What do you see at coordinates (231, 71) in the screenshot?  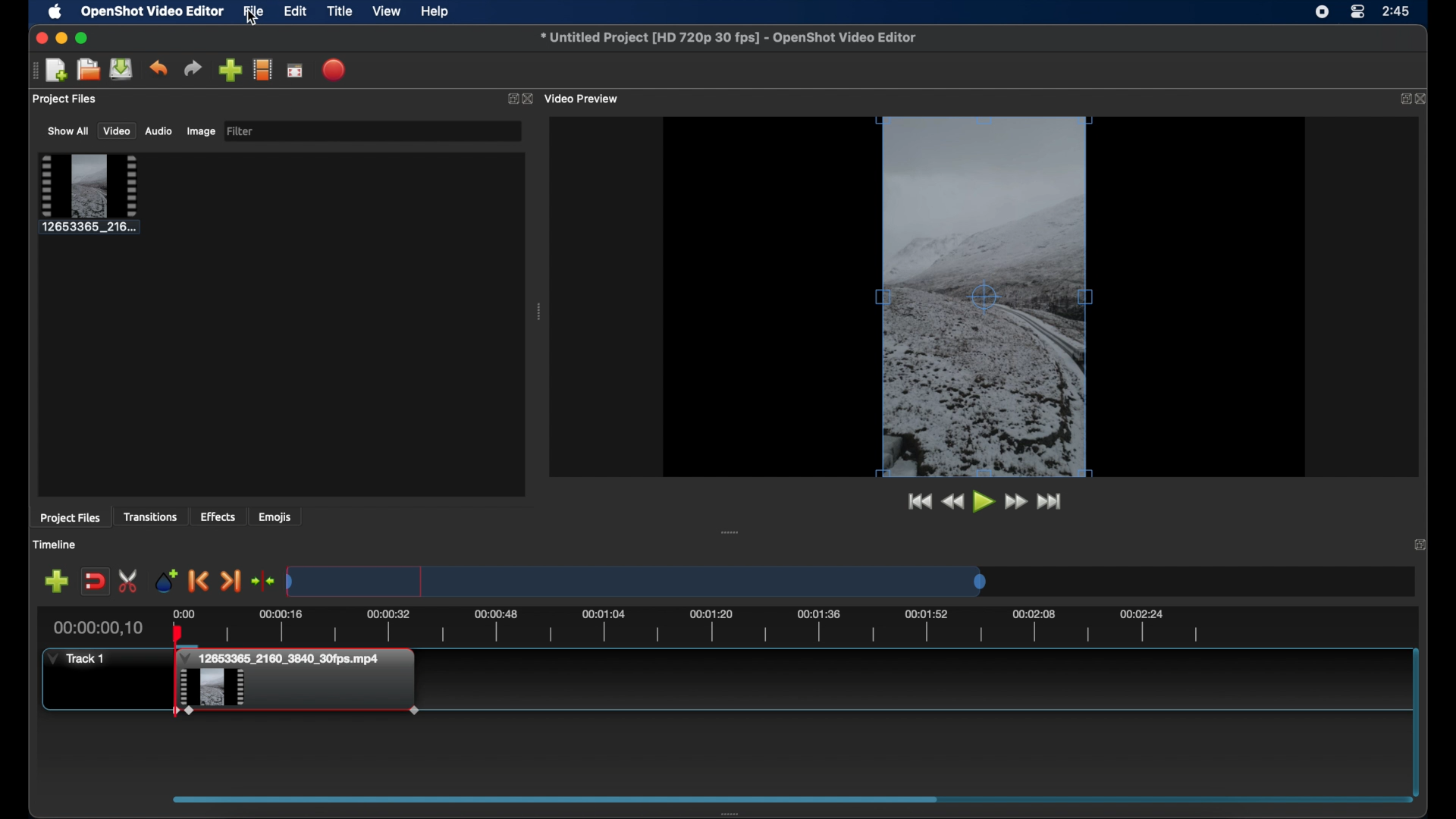 I see `import files` at bounding box center [231, 71].